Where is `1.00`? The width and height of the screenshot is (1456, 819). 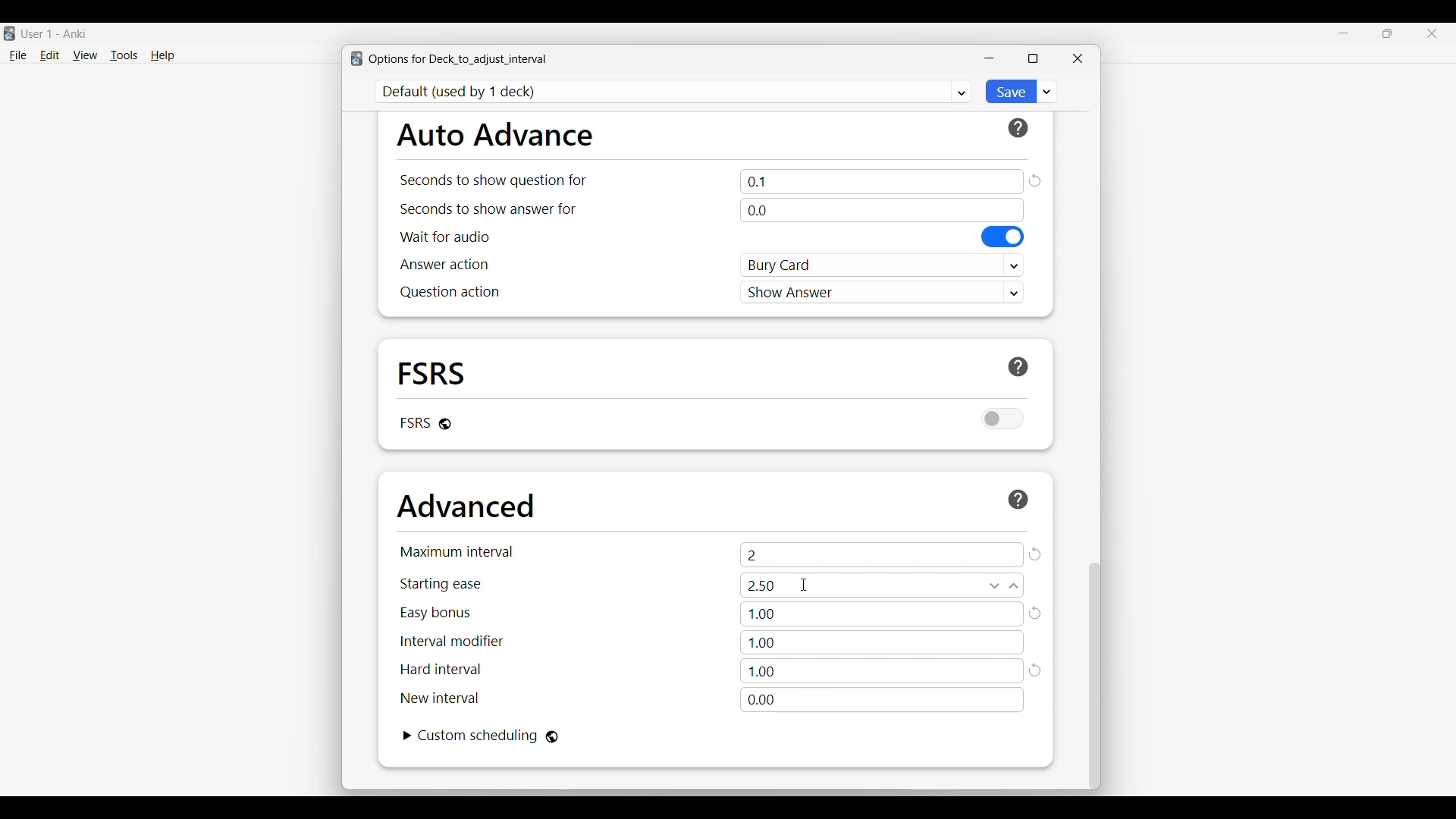 1.00 is located at coordinates (883, 614).